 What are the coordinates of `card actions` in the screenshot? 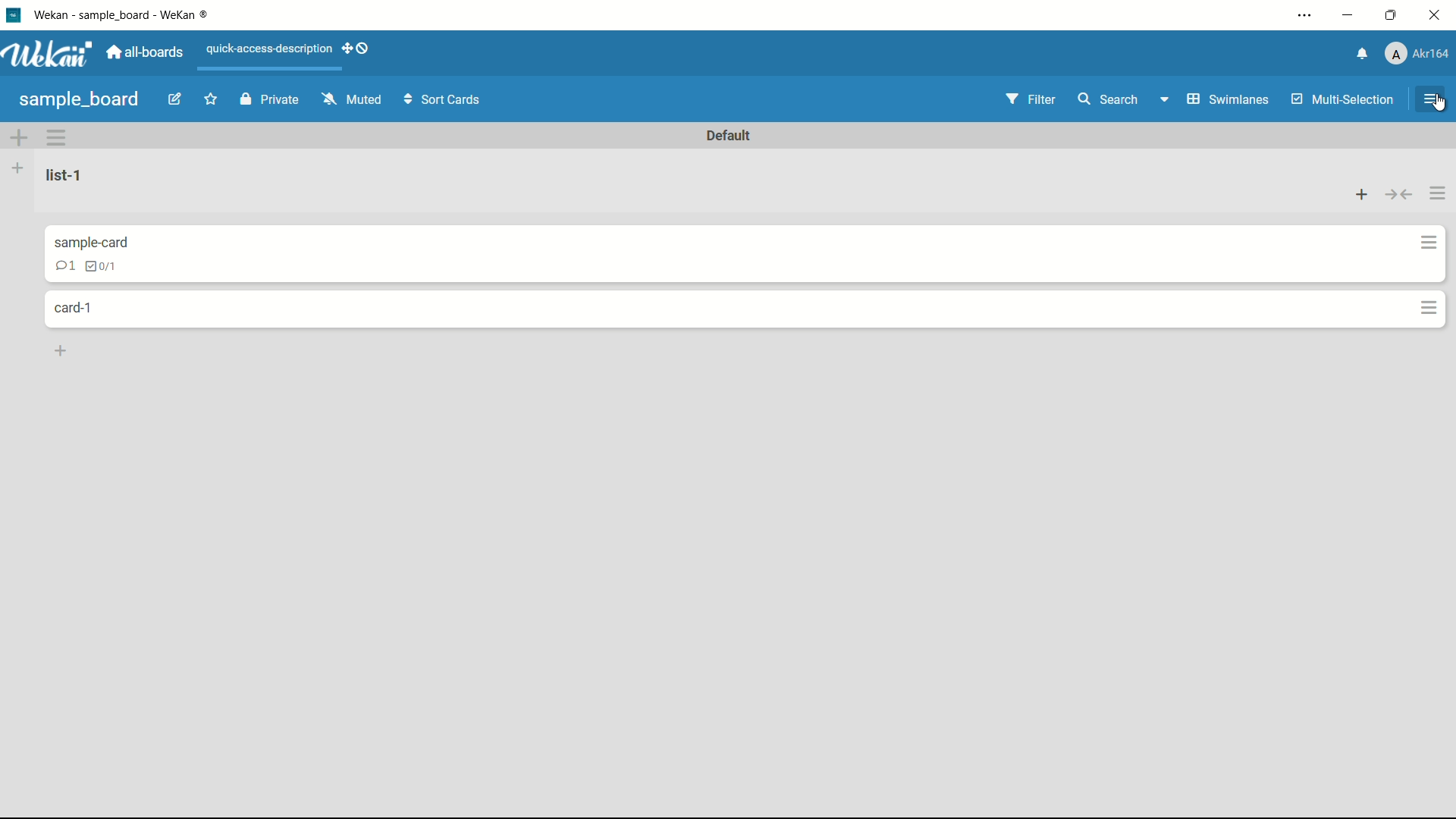 It's located at (1427, 306).